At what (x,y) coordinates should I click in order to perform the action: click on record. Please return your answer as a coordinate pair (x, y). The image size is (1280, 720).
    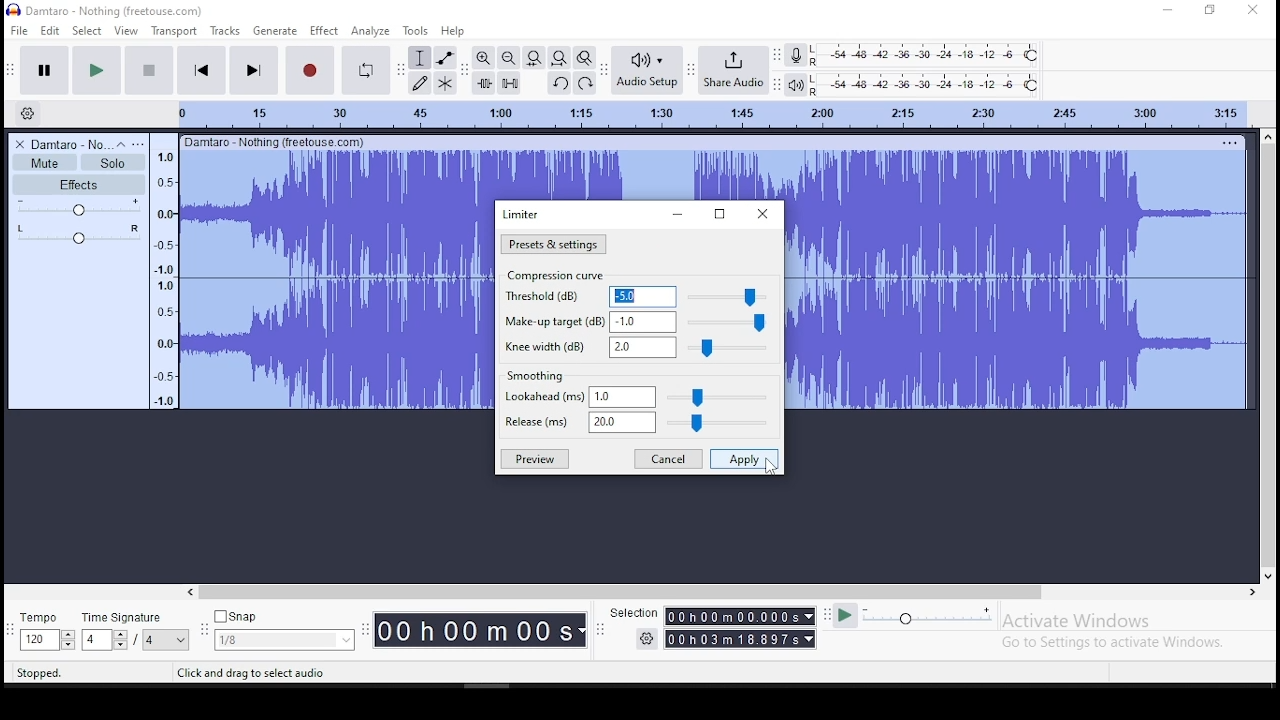
    Looking at the image, I should click on (311, 71).